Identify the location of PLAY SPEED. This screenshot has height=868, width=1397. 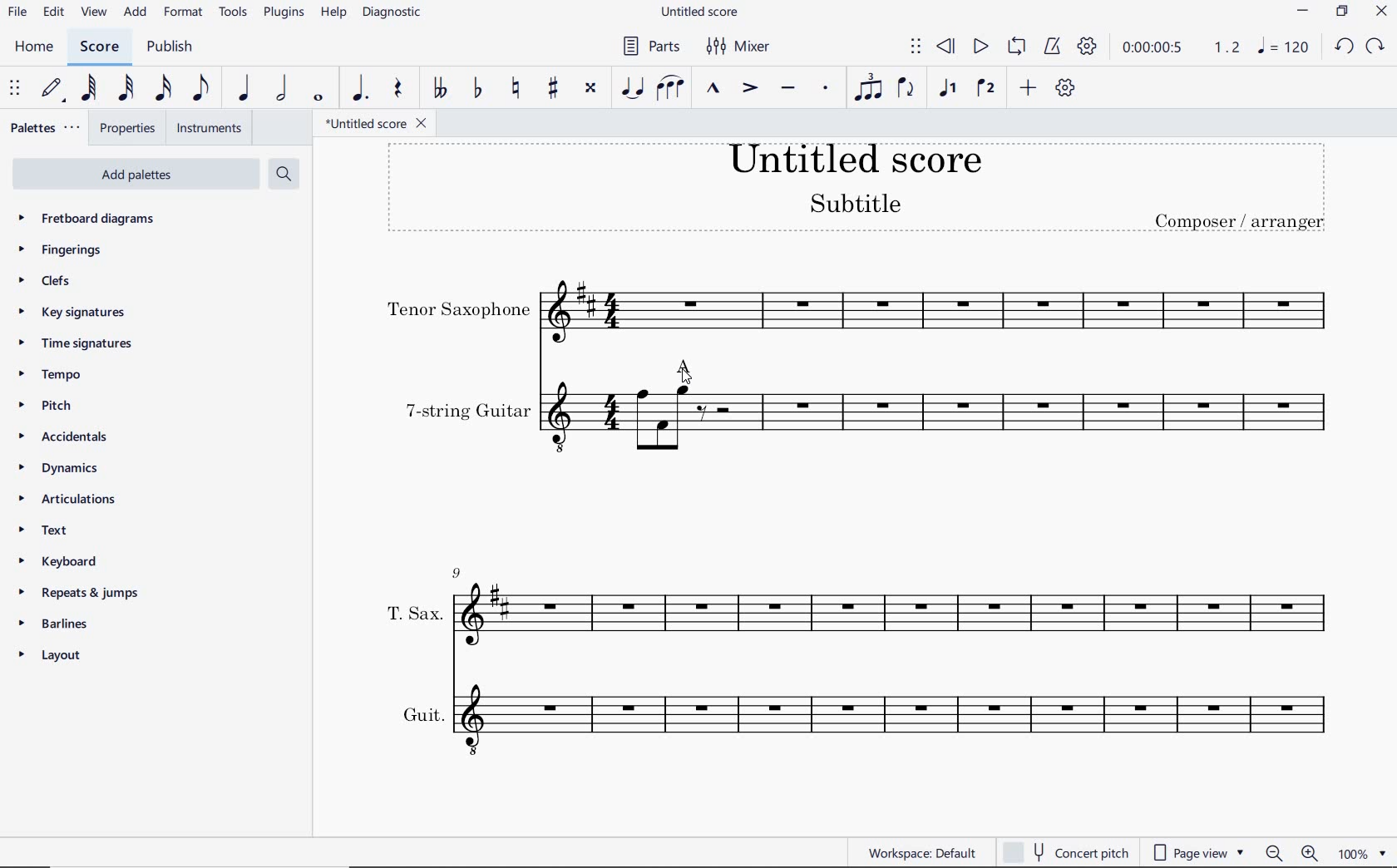
(1181, 47).